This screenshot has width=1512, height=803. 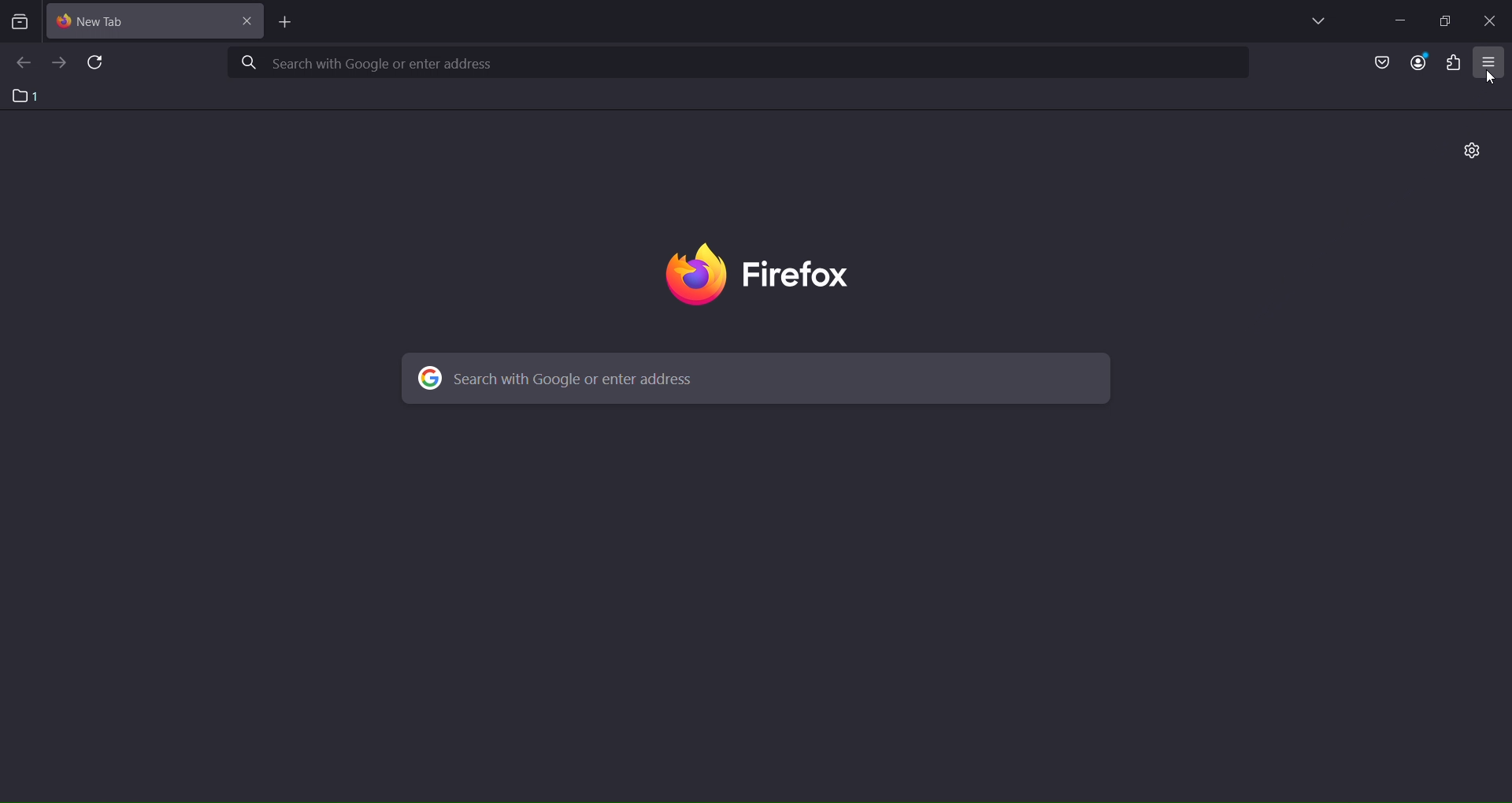 What do you see at coordinates (59, 64) in the screenshot?
I see `go forward one page` at bounding box center [59, 64].